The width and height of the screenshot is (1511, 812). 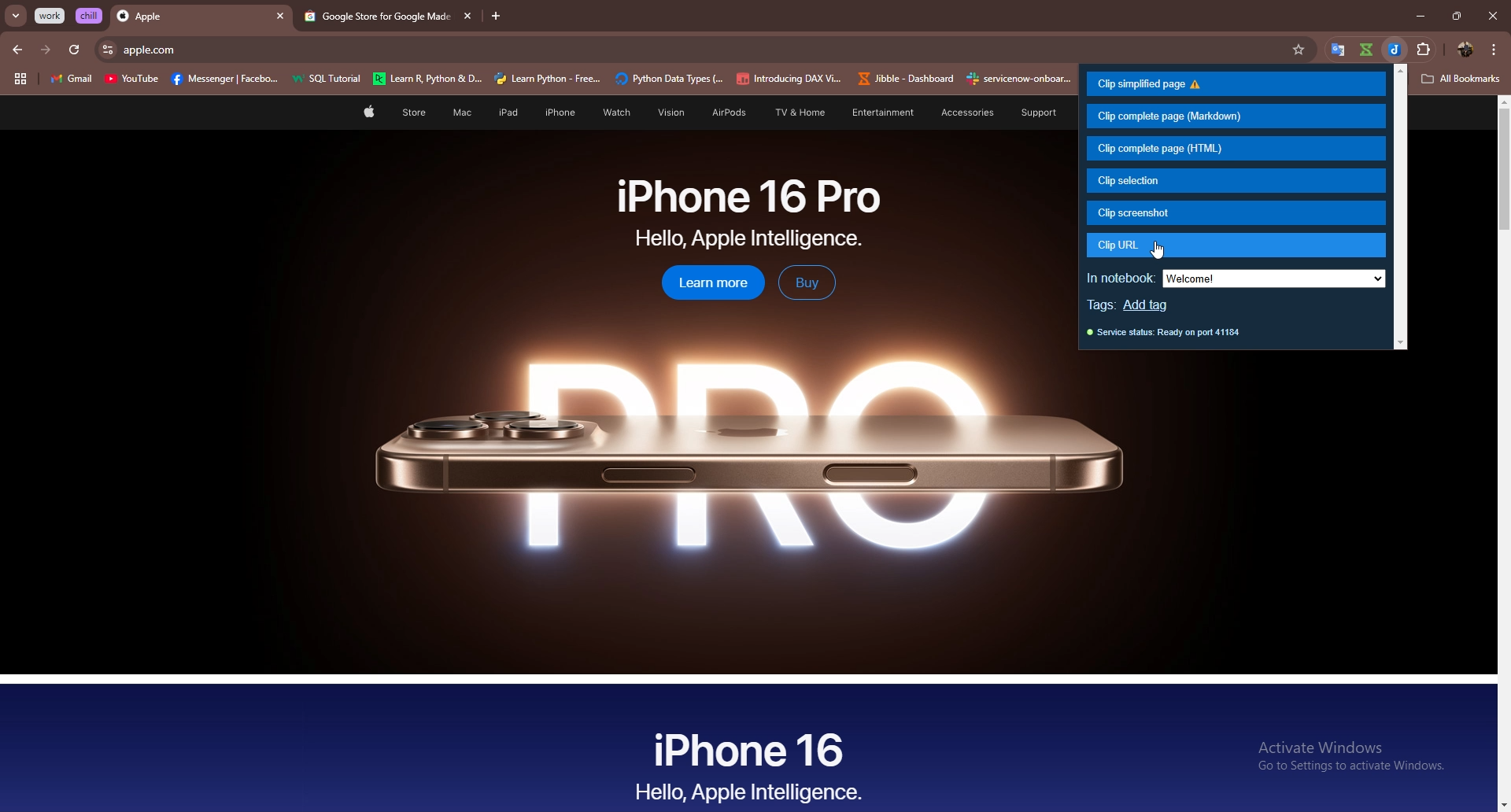 What do you see at coordinates (797, 113) in the screenshot?
I see `TV & Home` at bounding box center [797, 113].